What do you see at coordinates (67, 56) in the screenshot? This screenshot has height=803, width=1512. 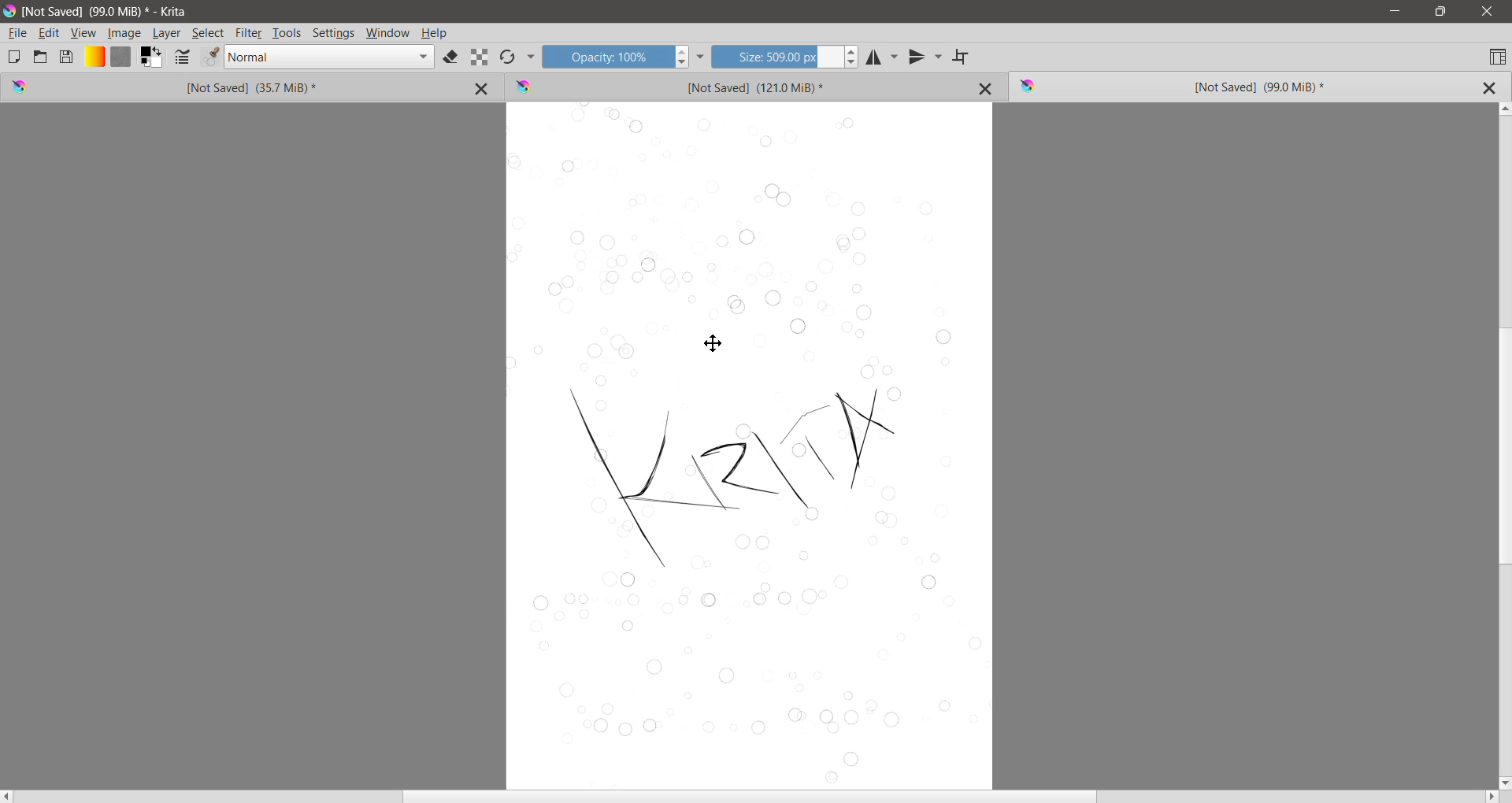 I see `Save` at bounding box center [67, 56].